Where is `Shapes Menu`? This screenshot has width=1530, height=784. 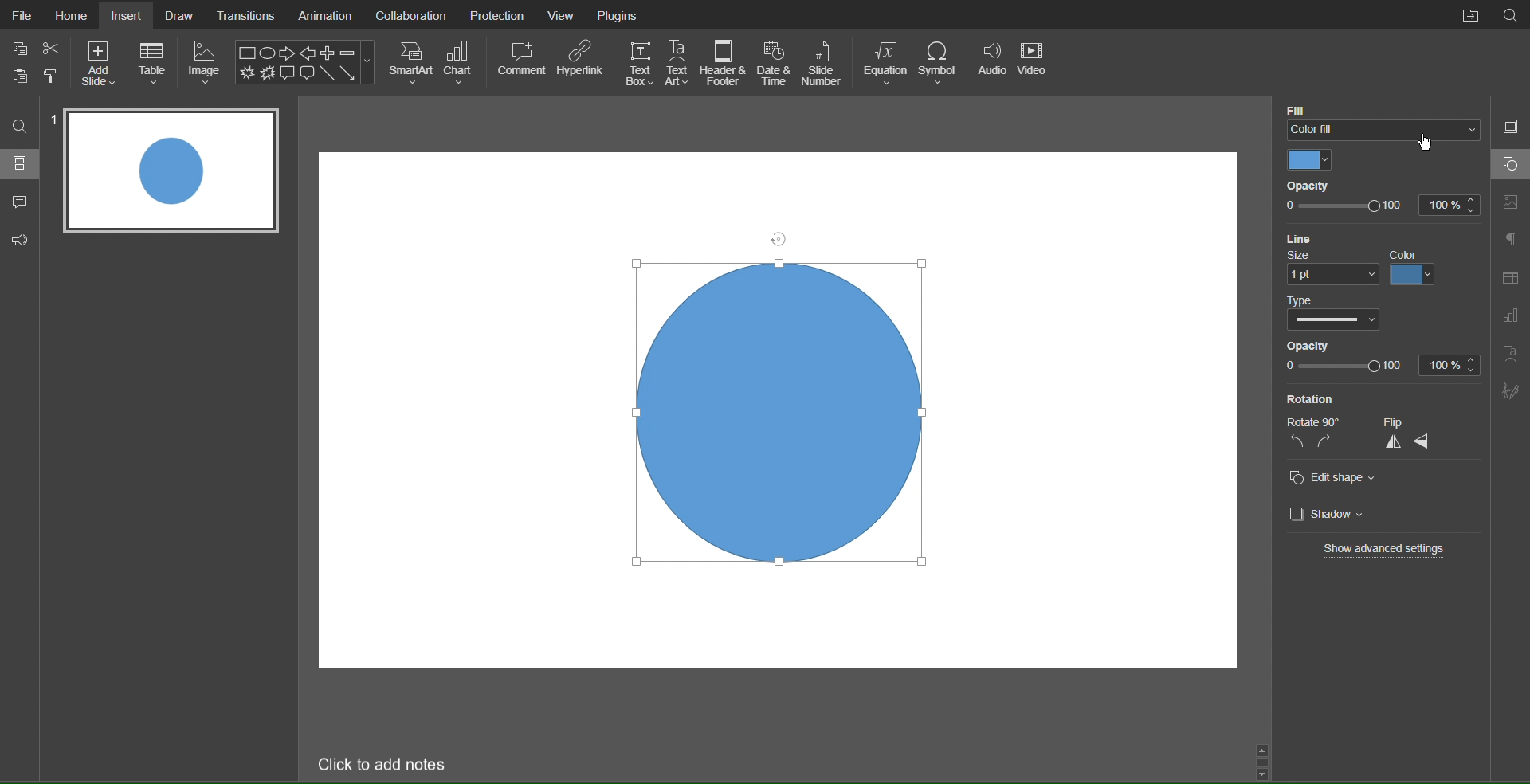 Shapes Menu is located at coordinates (304, 62).